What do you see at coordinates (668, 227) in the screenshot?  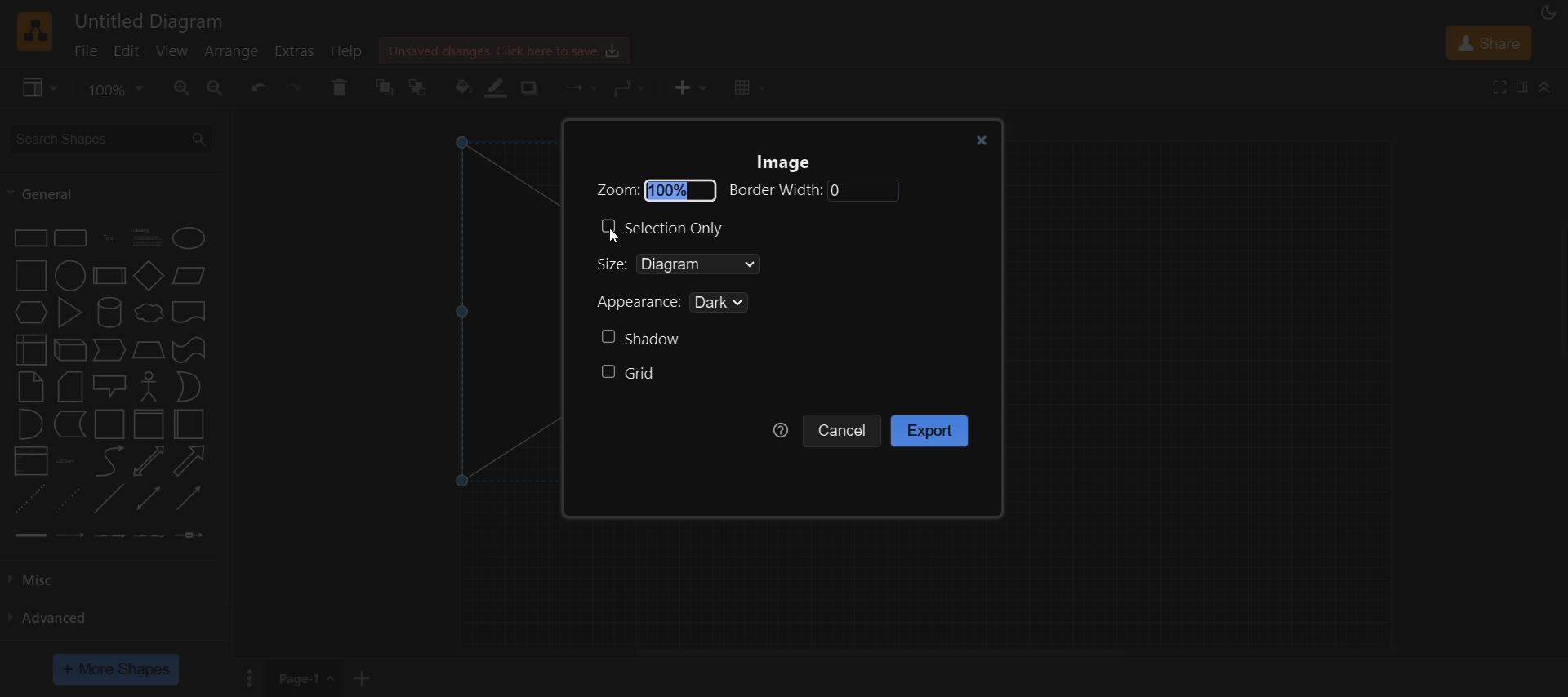 I see `selection only` at bounding box center [668, 227].